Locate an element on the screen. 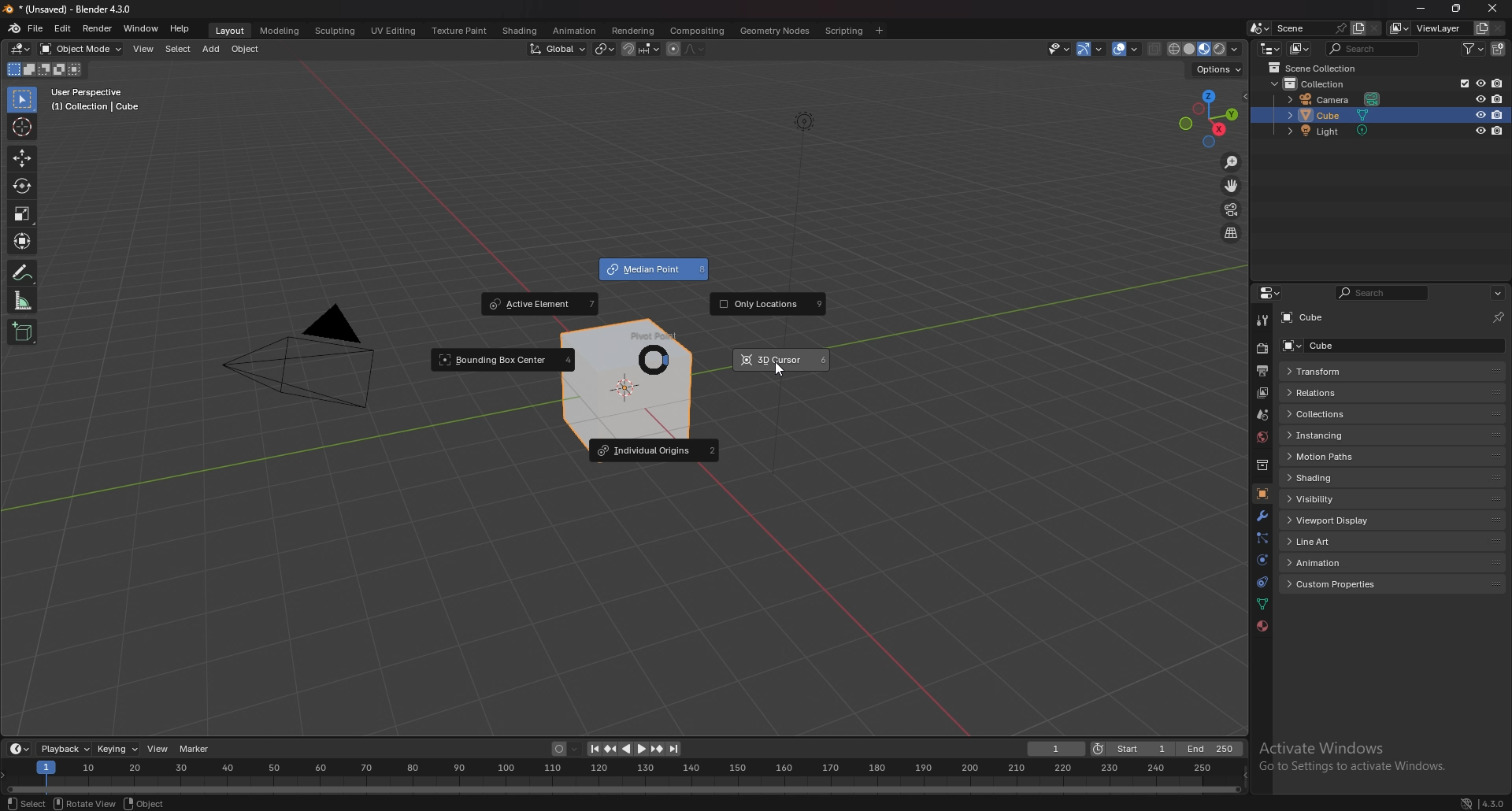 The image size is (1512, 811). scene collection is located at coordinates (1314, 68).